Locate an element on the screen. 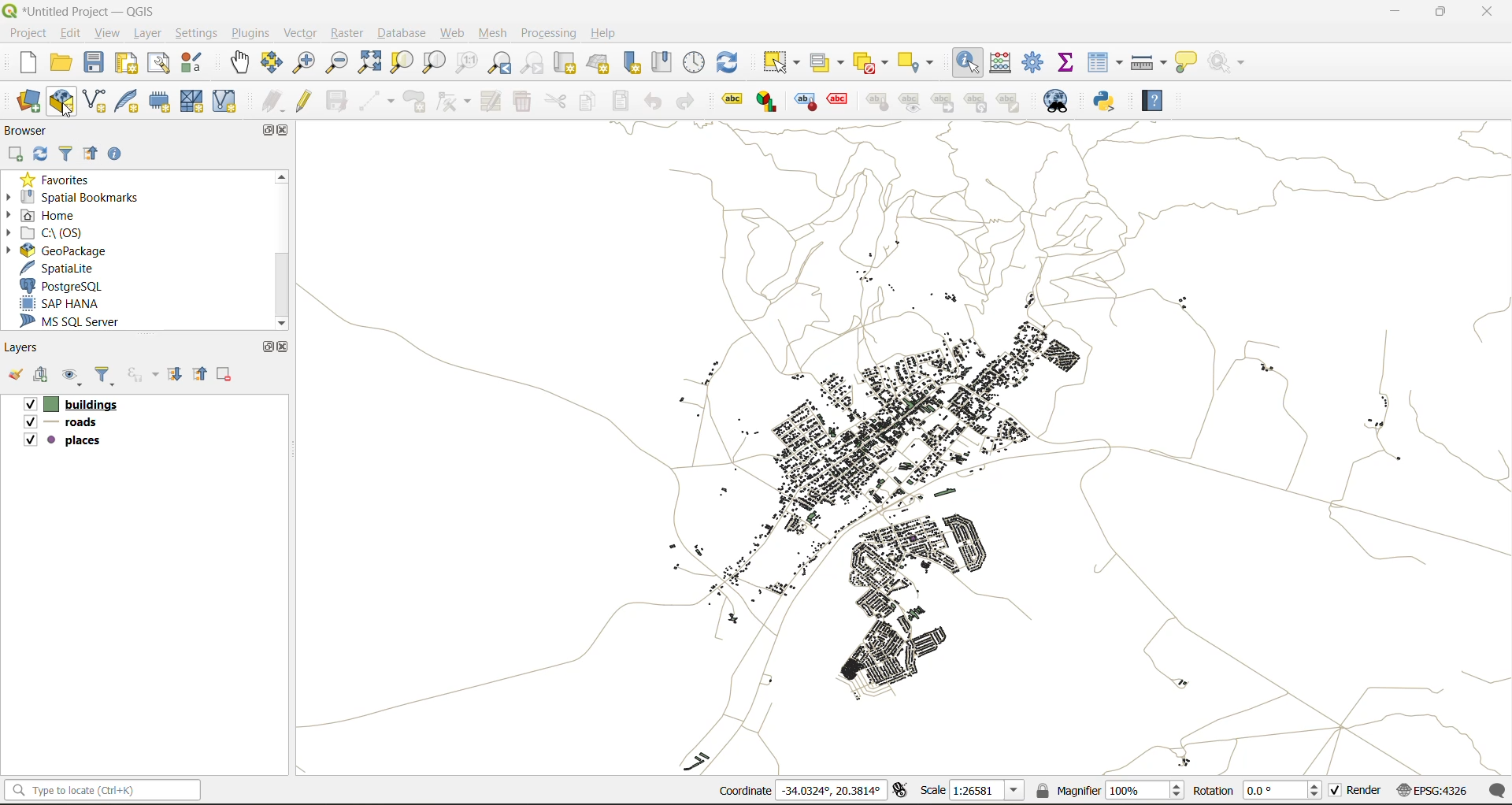 Image resolution: width=1512 pixels, height=805 pixels. control panel is located at coordinates (695, 62).